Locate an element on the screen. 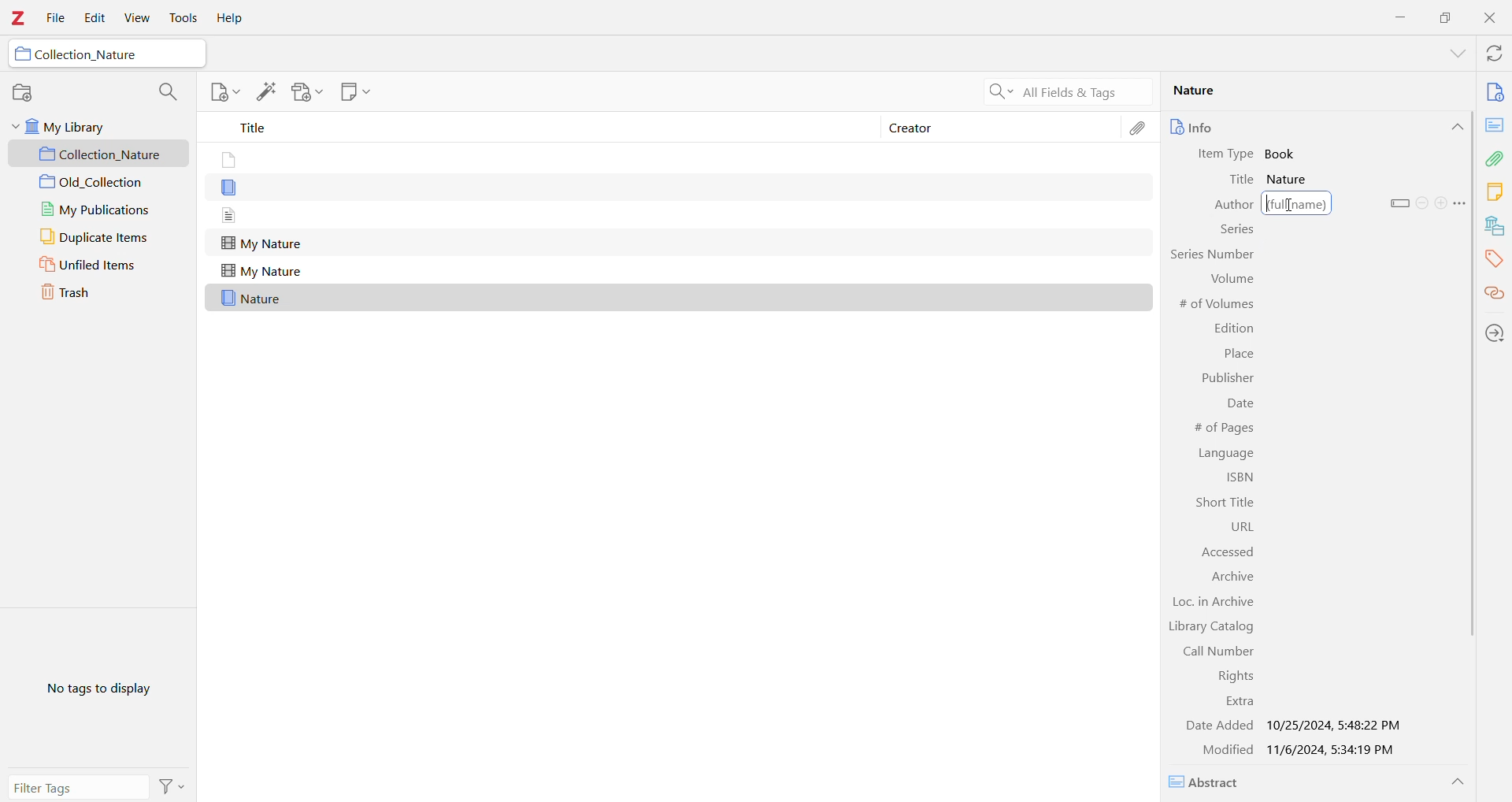 This screenshot has height=802, width=1512. folder icon is located at coordinates (23, 54).